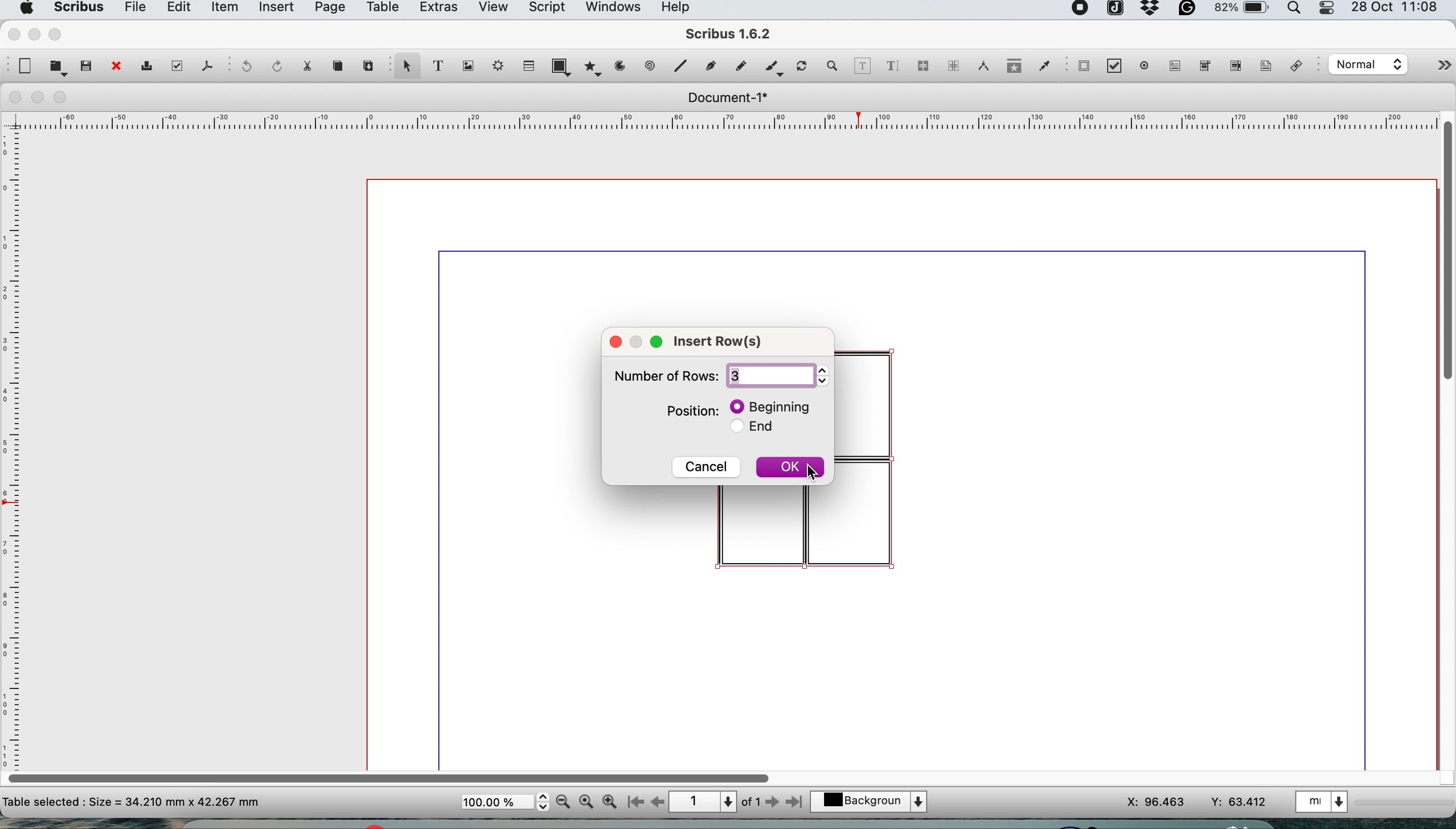  I want to click on table, so click(381, 9).